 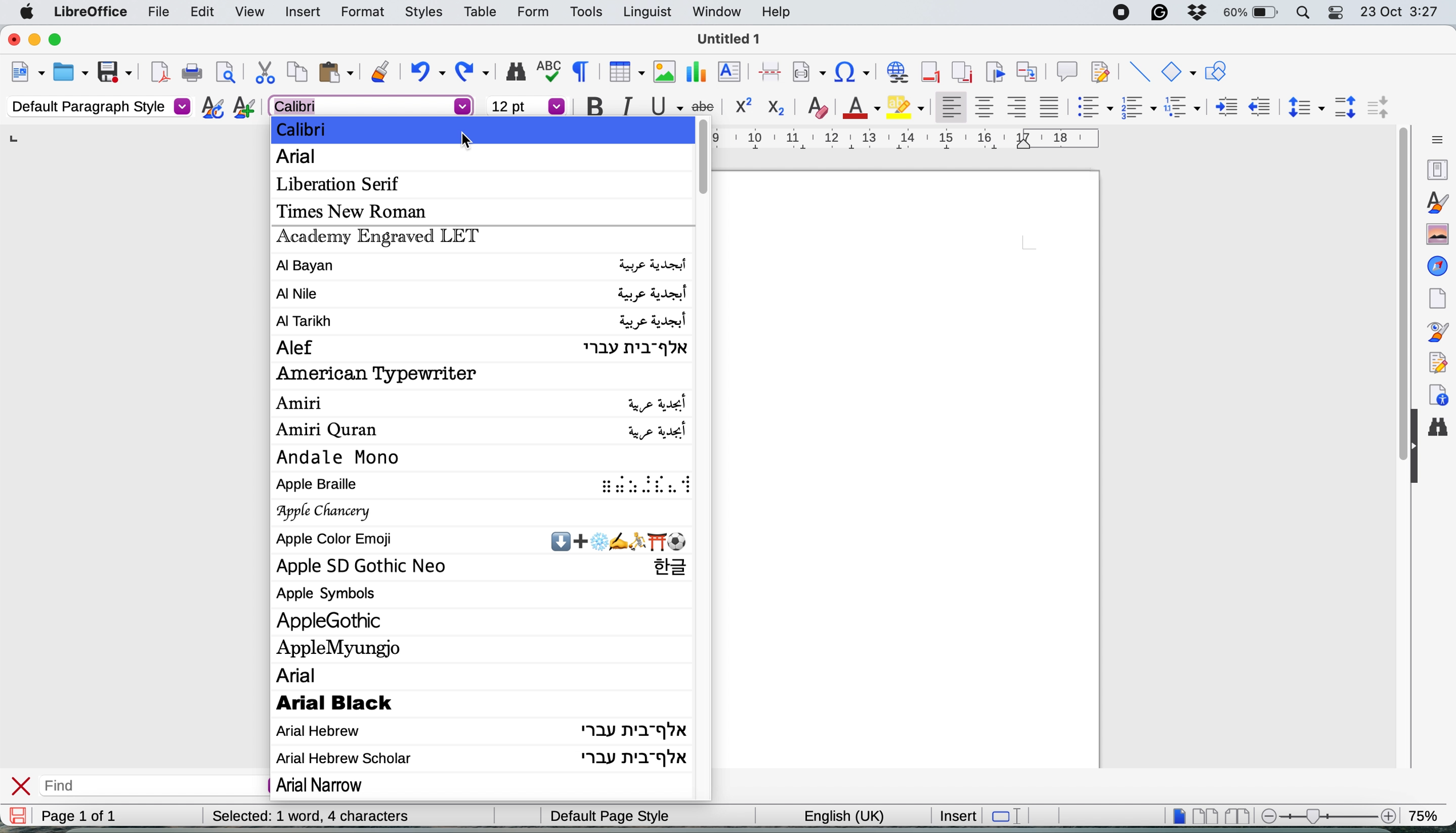 What do you see at coordinates (22, 785) in the screenshot?
I see `close` at bounding box center [22, 785].